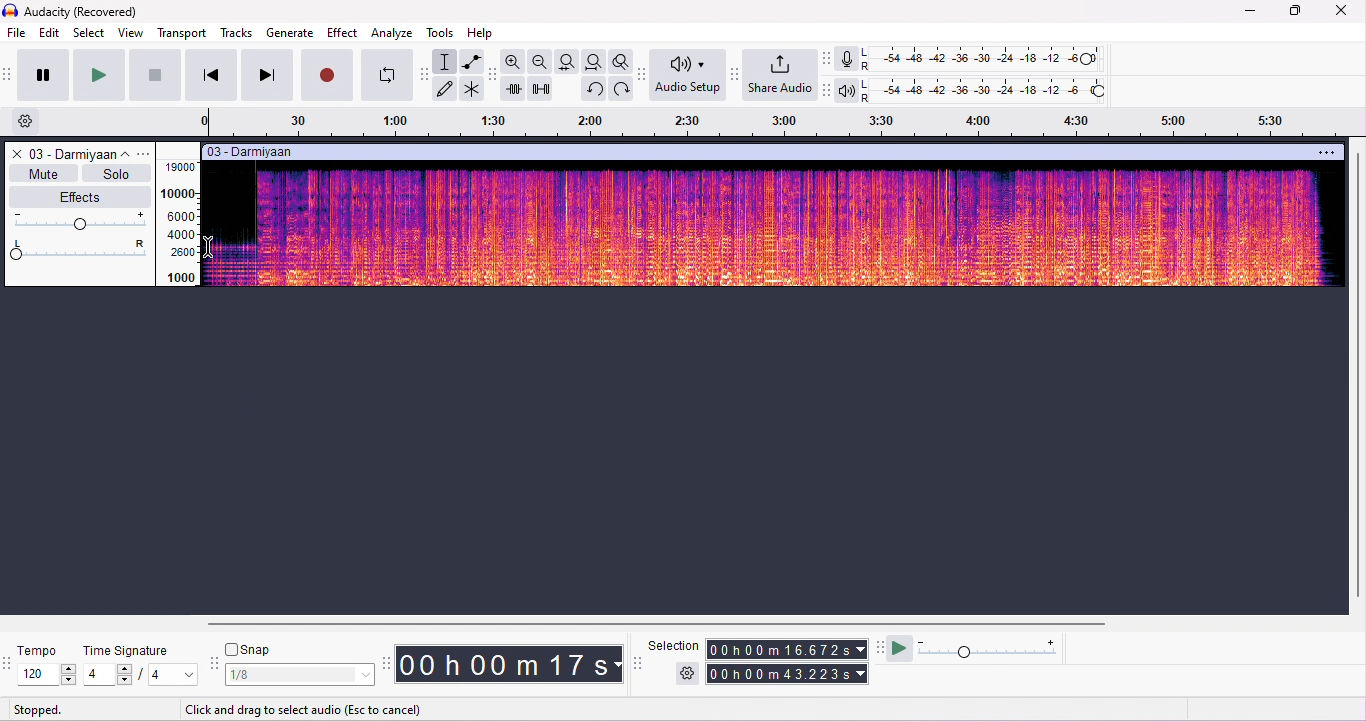 The height and width of the screenshot is (722, 1366). I want to click on effects, so click(79, 195).